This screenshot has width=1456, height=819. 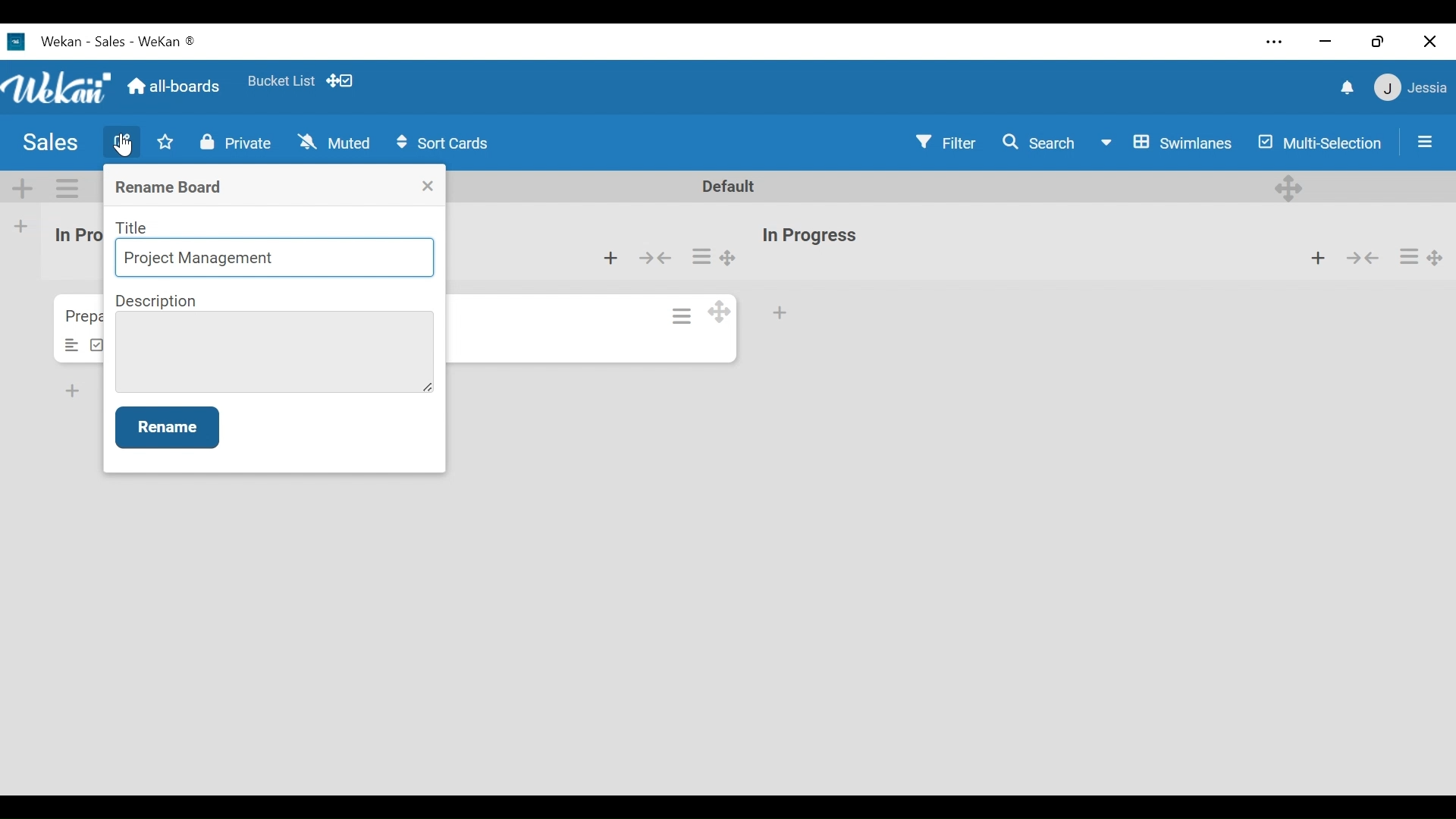 I want to click on Wekan, so click(x=81, y=40).